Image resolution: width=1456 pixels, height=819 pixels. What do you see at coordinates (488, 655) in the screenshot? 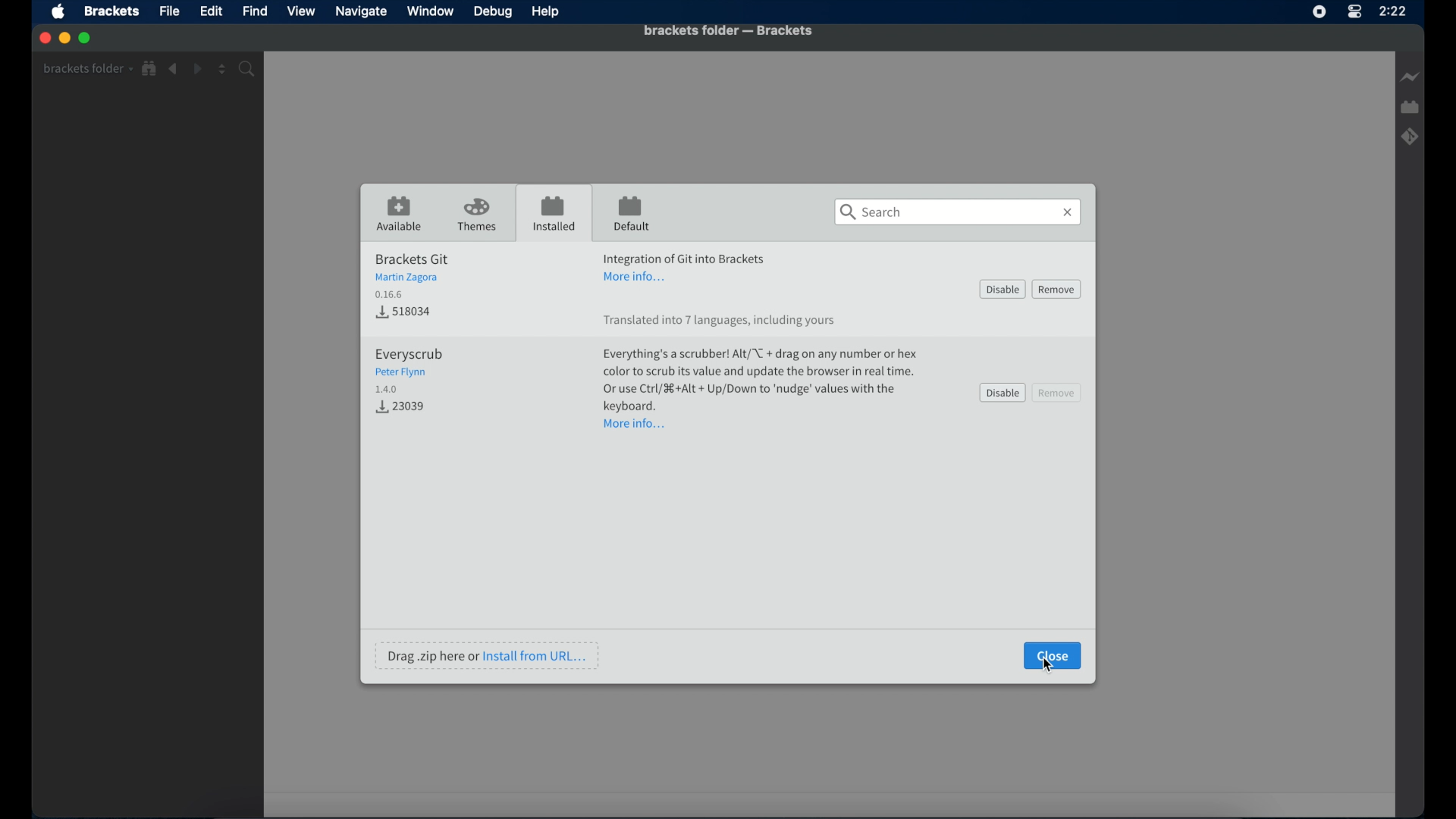
I see `drag .zip  here or install from url` at bounding box center [488, 655].